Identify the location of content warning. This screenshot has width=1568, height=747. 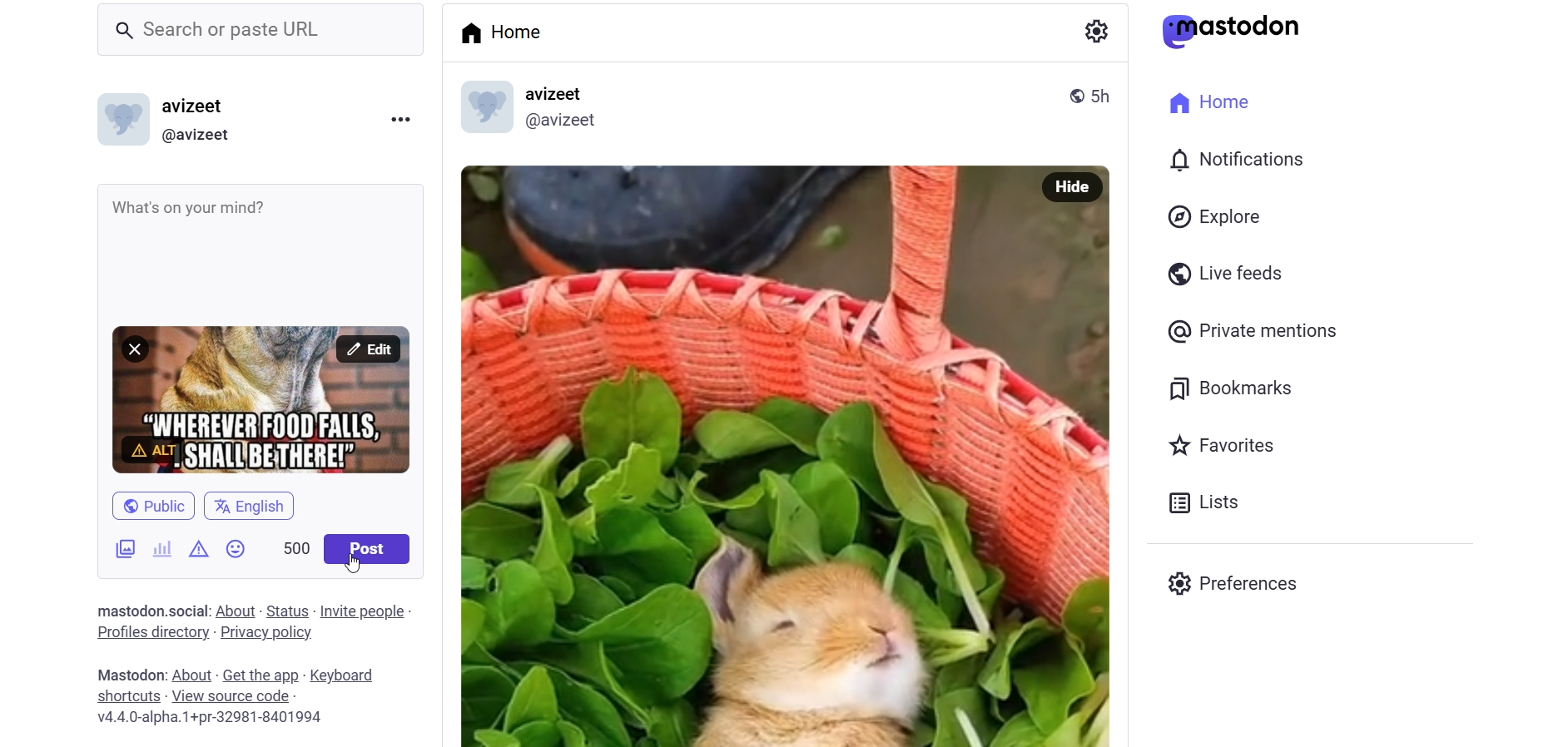
(199, 548).